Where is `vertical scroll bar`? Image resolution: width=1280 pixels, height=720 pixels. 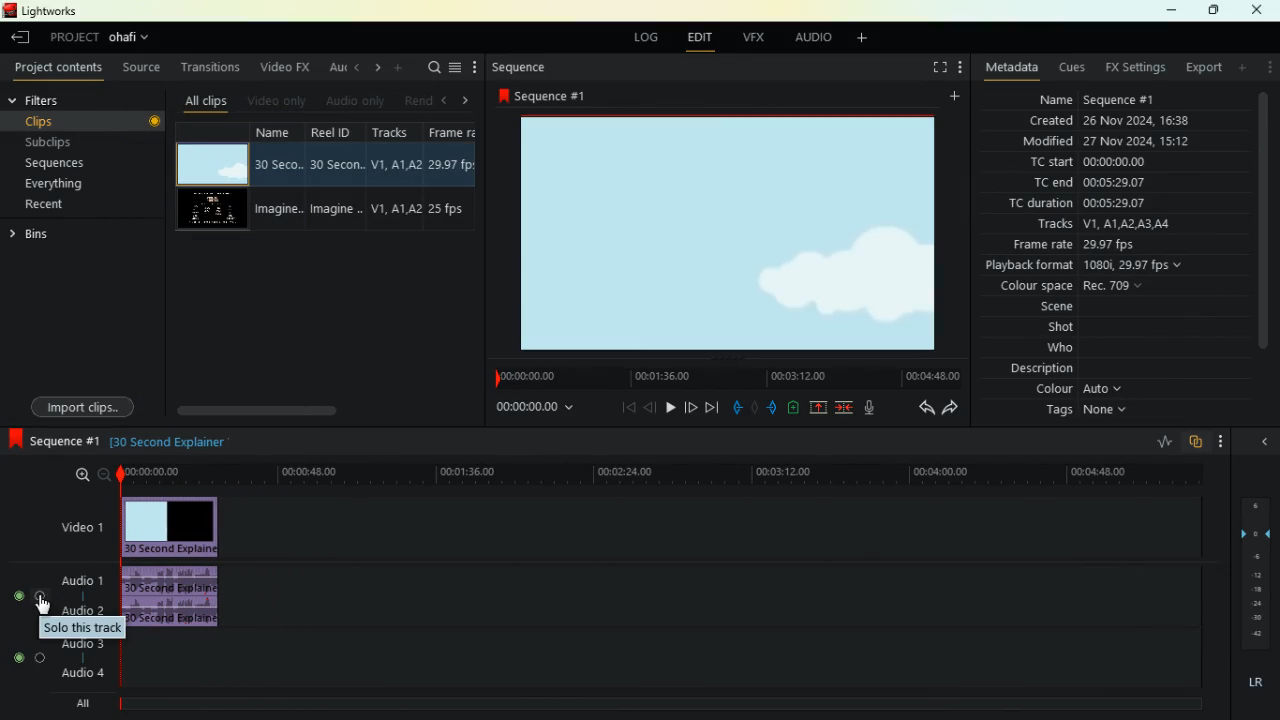
vertical scroll bar is located at coordinates (1263, 233).